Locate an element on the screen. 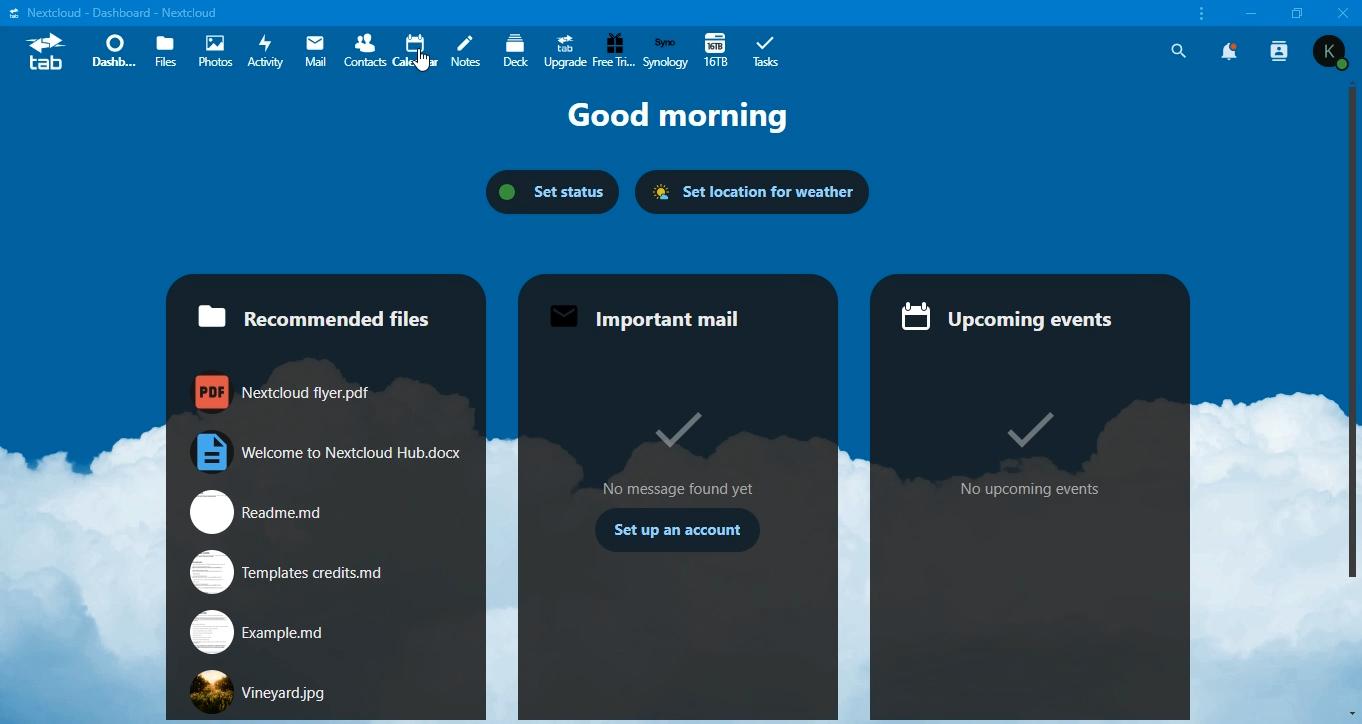  correct option is located at coordinates (1026, 422).